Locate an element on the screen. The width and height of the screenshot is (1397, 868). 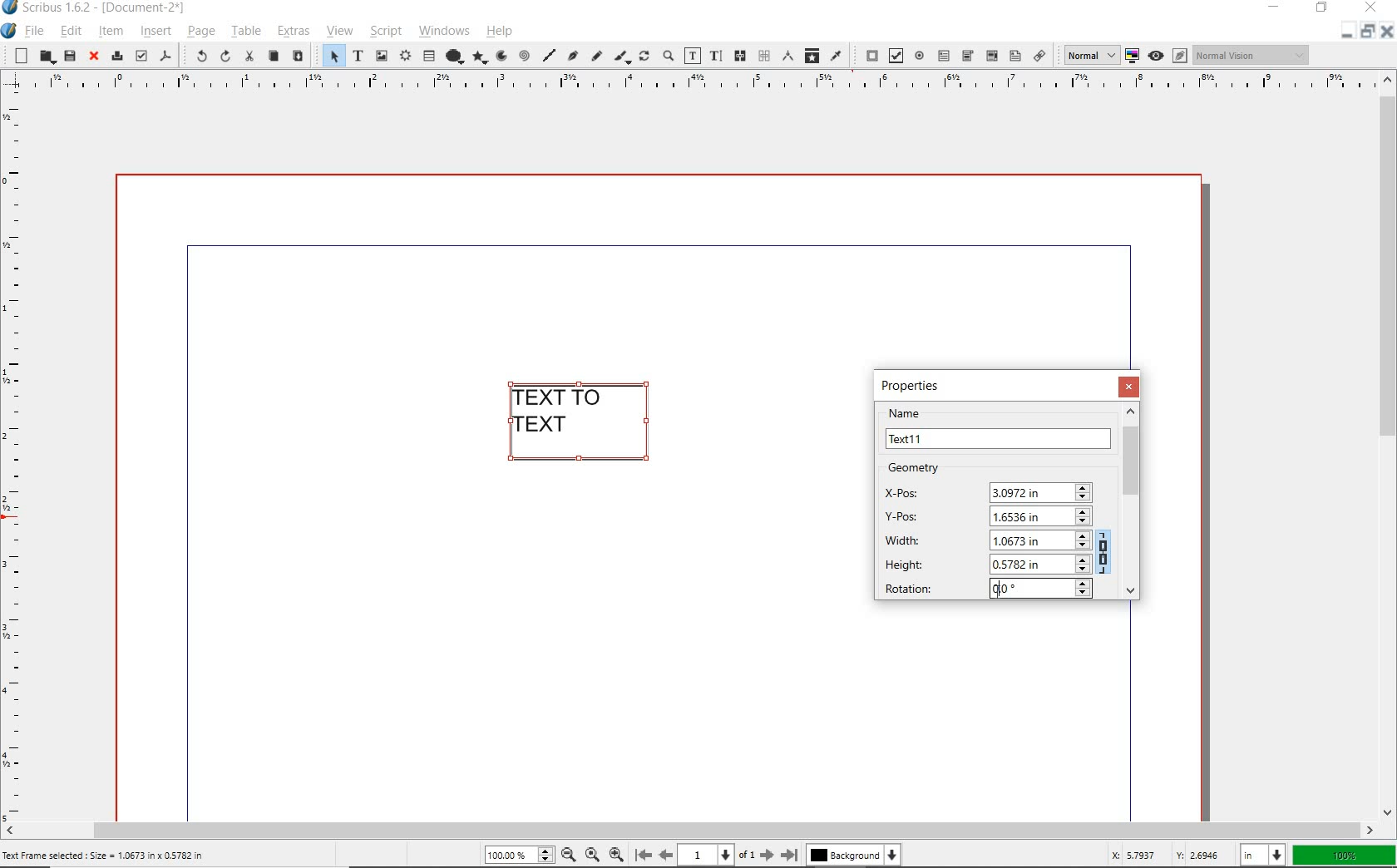
current page is located at coordinates (720, 855).